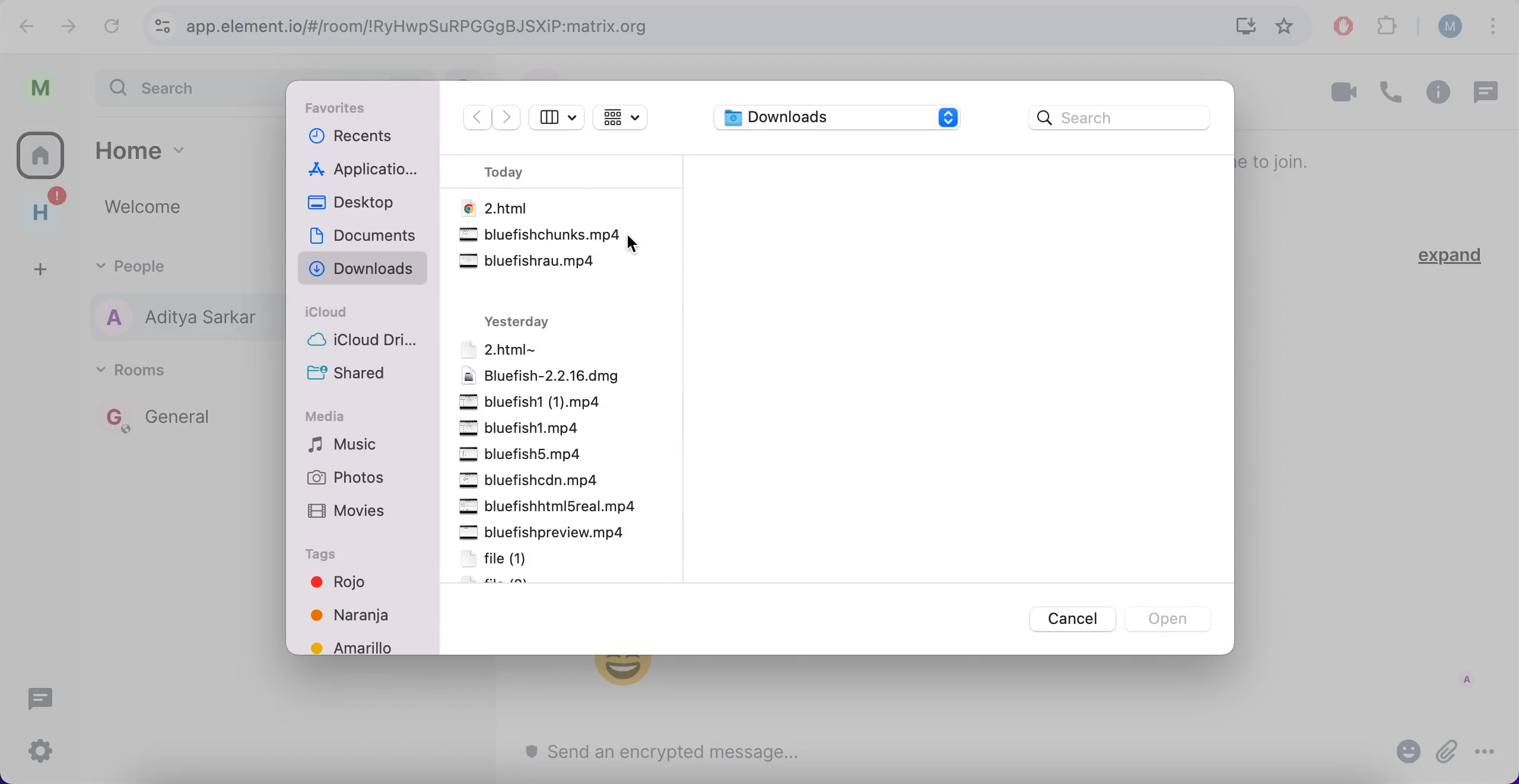 This screenshot has height=784, width=1519. Describe the element at coordinates (363, 340) in the screenshot. I see `icloud drive` at that location.